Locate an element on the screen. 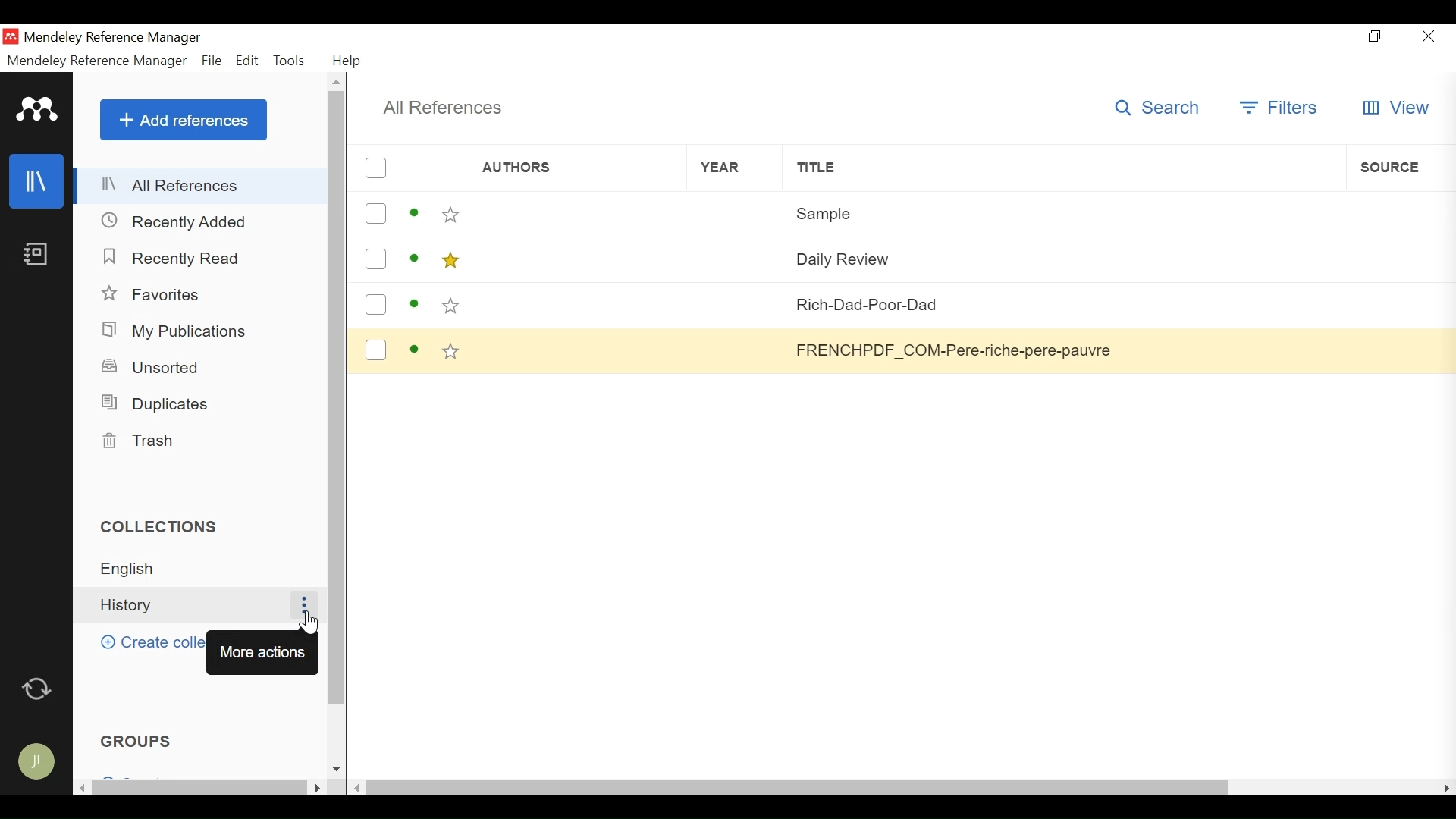  Help is located at coordinates (347, 61).